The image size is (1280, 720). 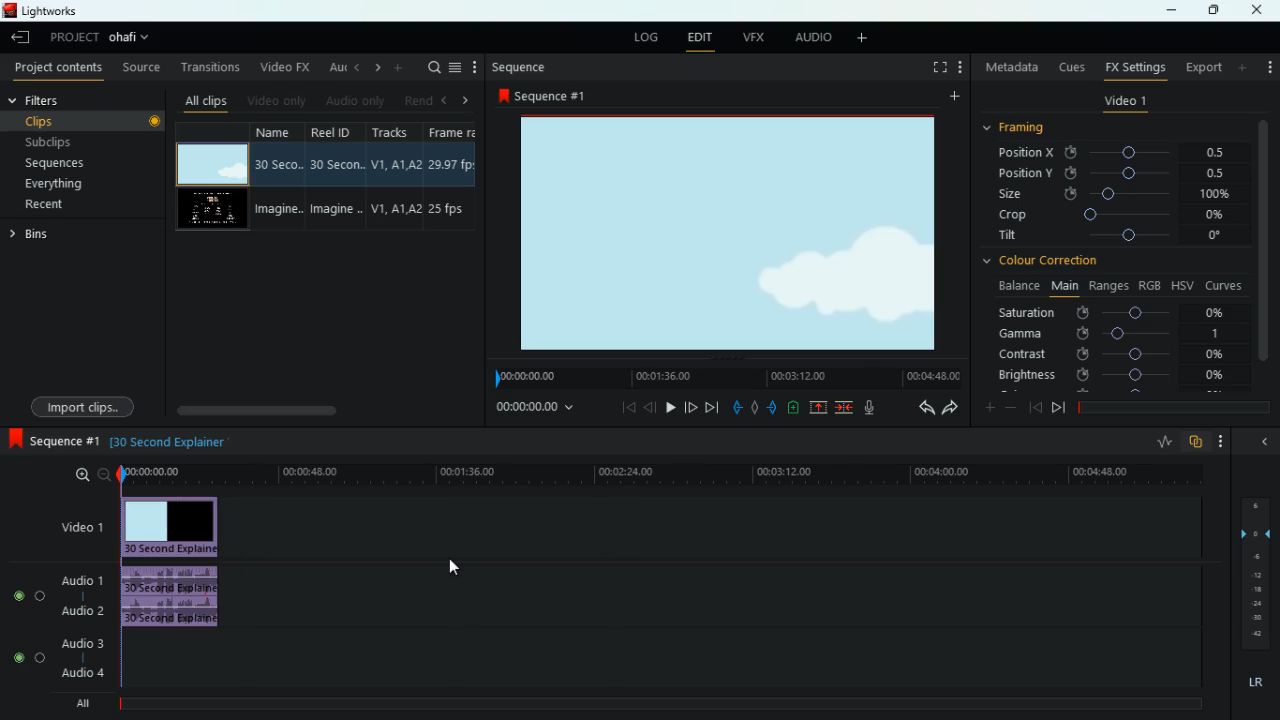 What do you see at coordinates (1111, 194) in the screenshot?
I see `size` at bounding box center [1111, 194].